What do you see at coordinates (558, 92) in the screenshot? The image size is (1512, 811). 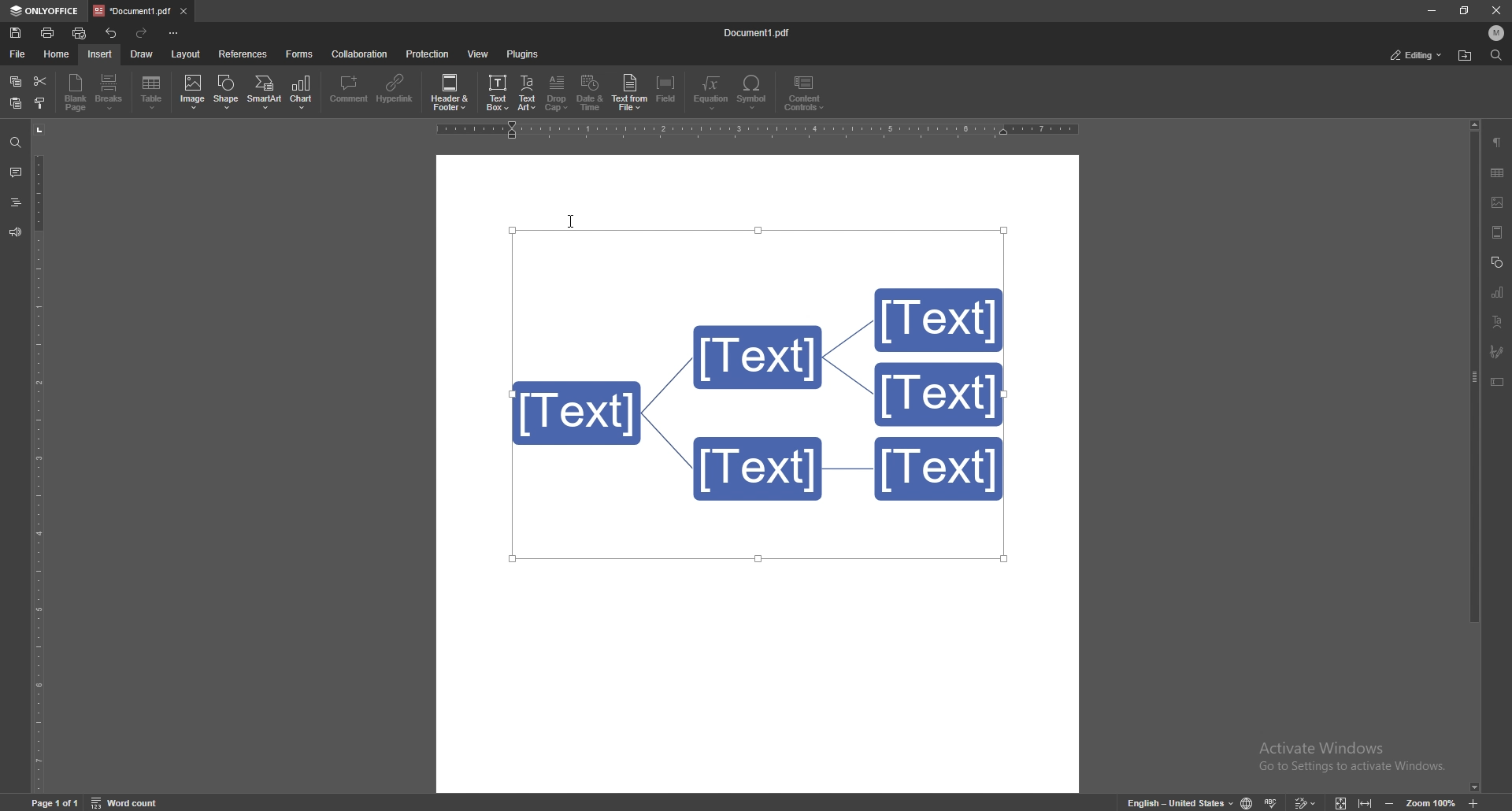 I see `drop cap` at bounding box center [558, 92].